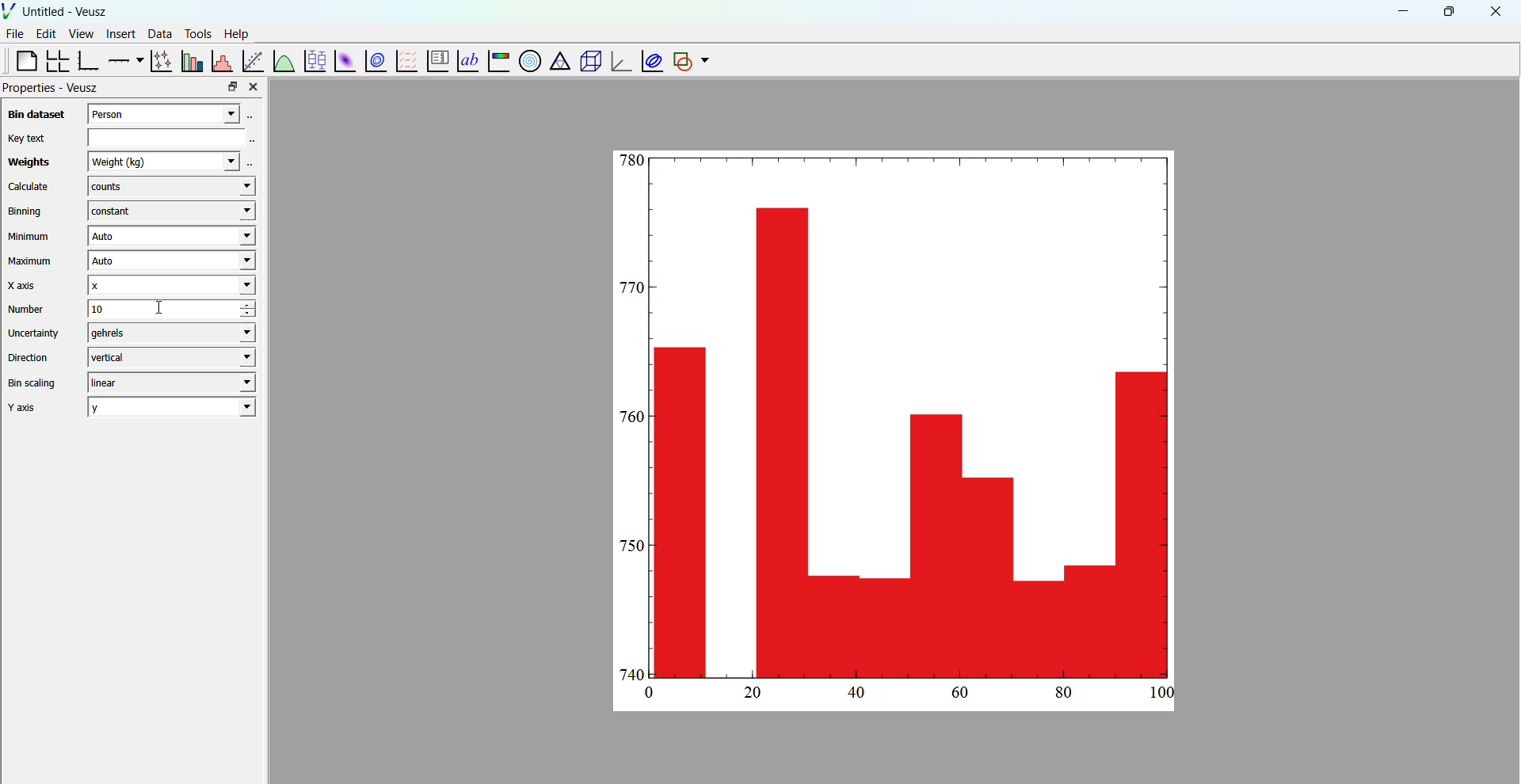  What do you see at coordinates (898, 416) in the screenshot?
I see `histogram added` at bounding box center [898, 416].